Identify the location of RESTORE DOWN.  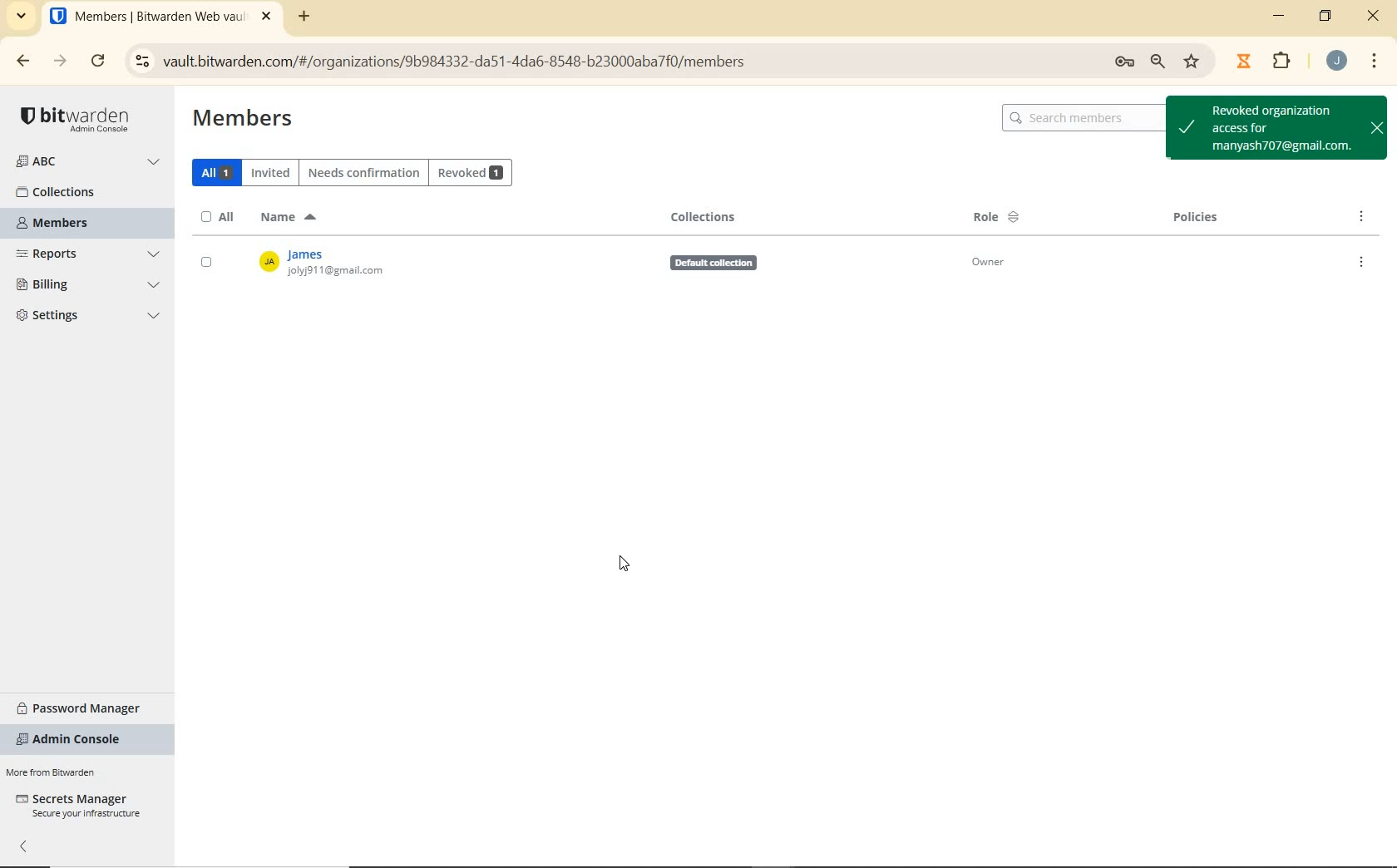
(1327, 19).